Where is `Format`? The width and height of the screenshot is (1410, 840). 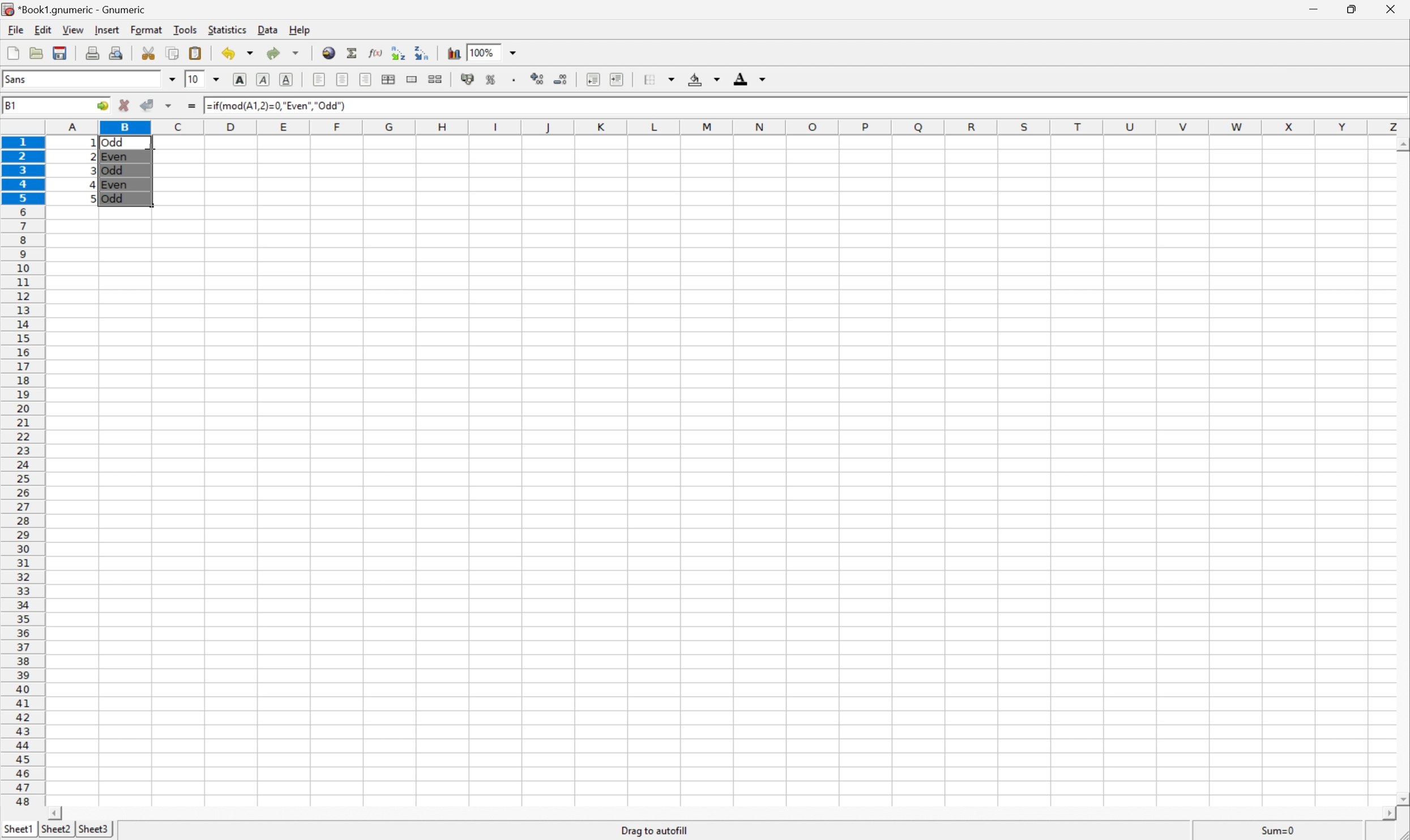
Format is located at coordinates (148, 30).